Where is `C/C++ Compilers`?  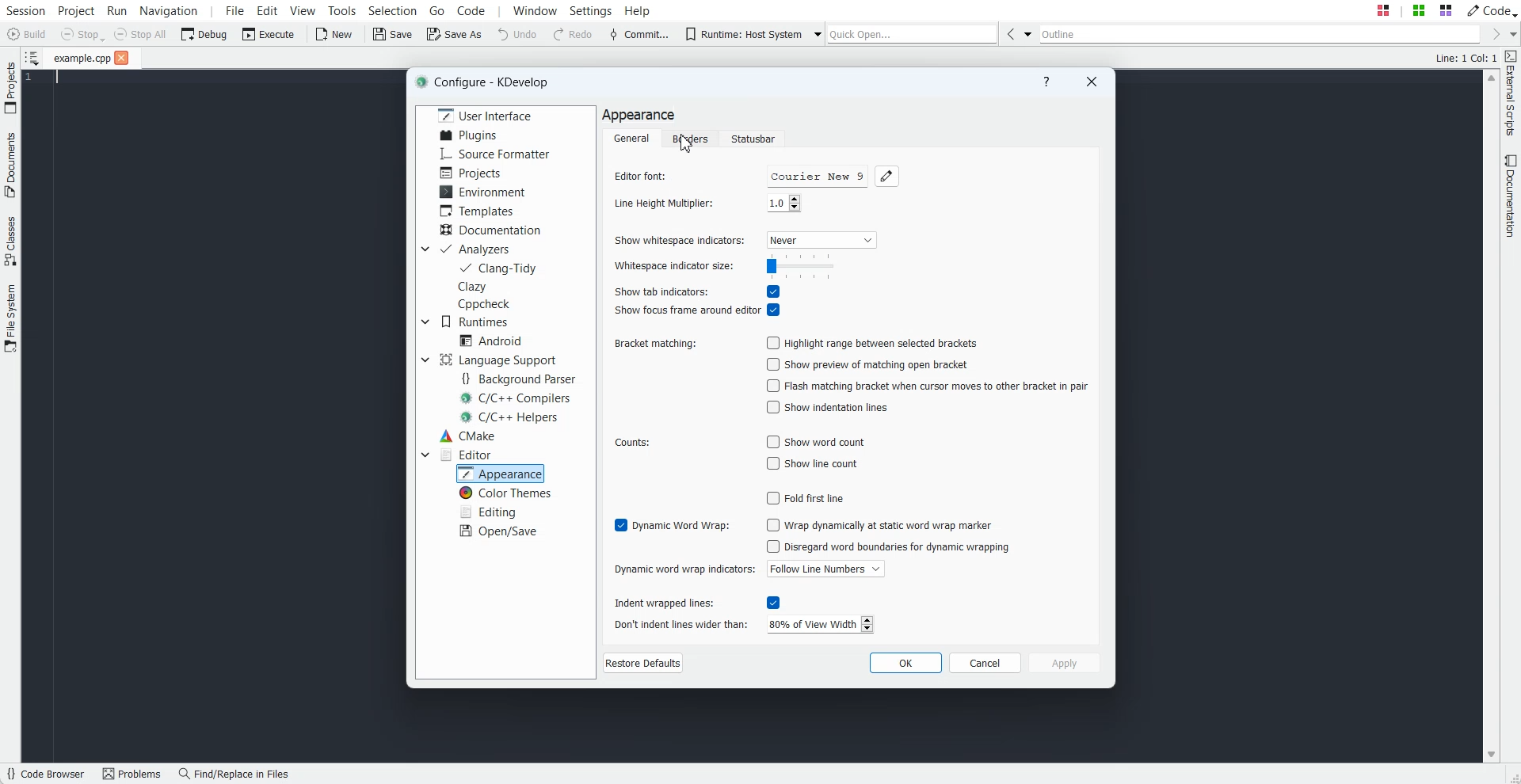
C/C++ Compilers is located at coordinates (517, 398).